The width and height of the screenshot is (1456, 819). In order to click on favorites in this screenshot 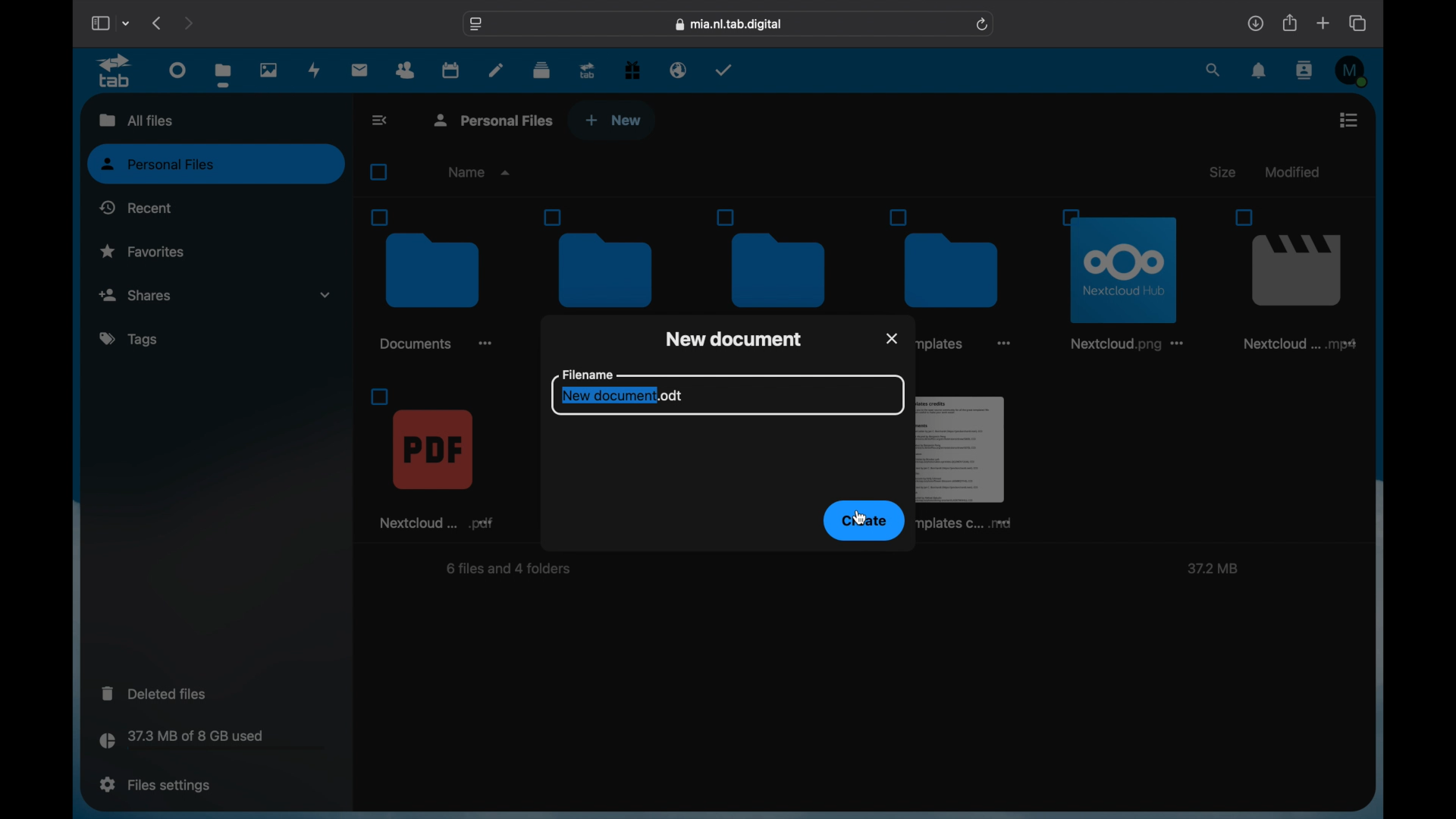, I will do `click(143, 250)`.